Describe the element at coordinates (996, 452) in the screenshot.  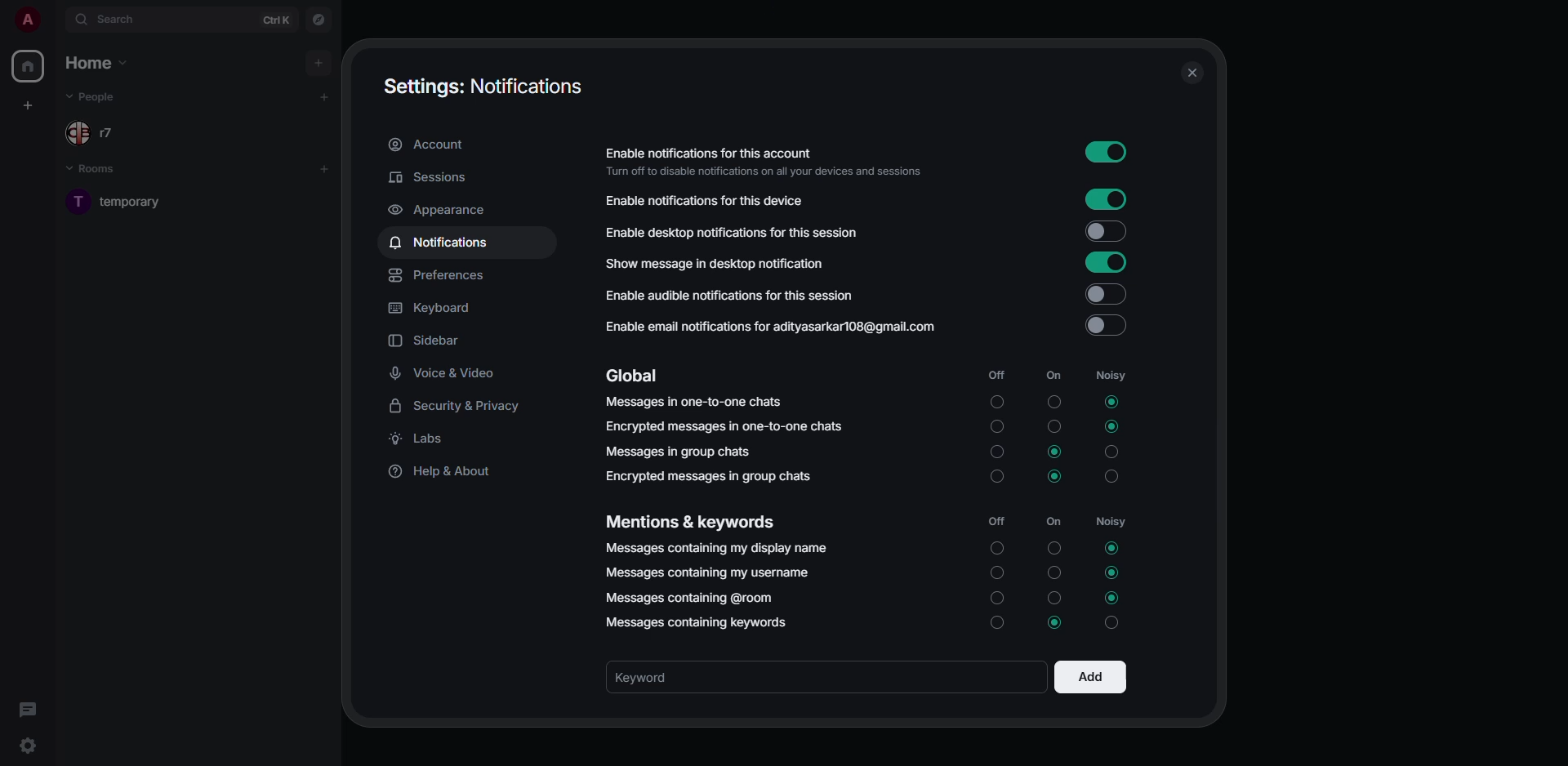
I see `turn on` at that location.